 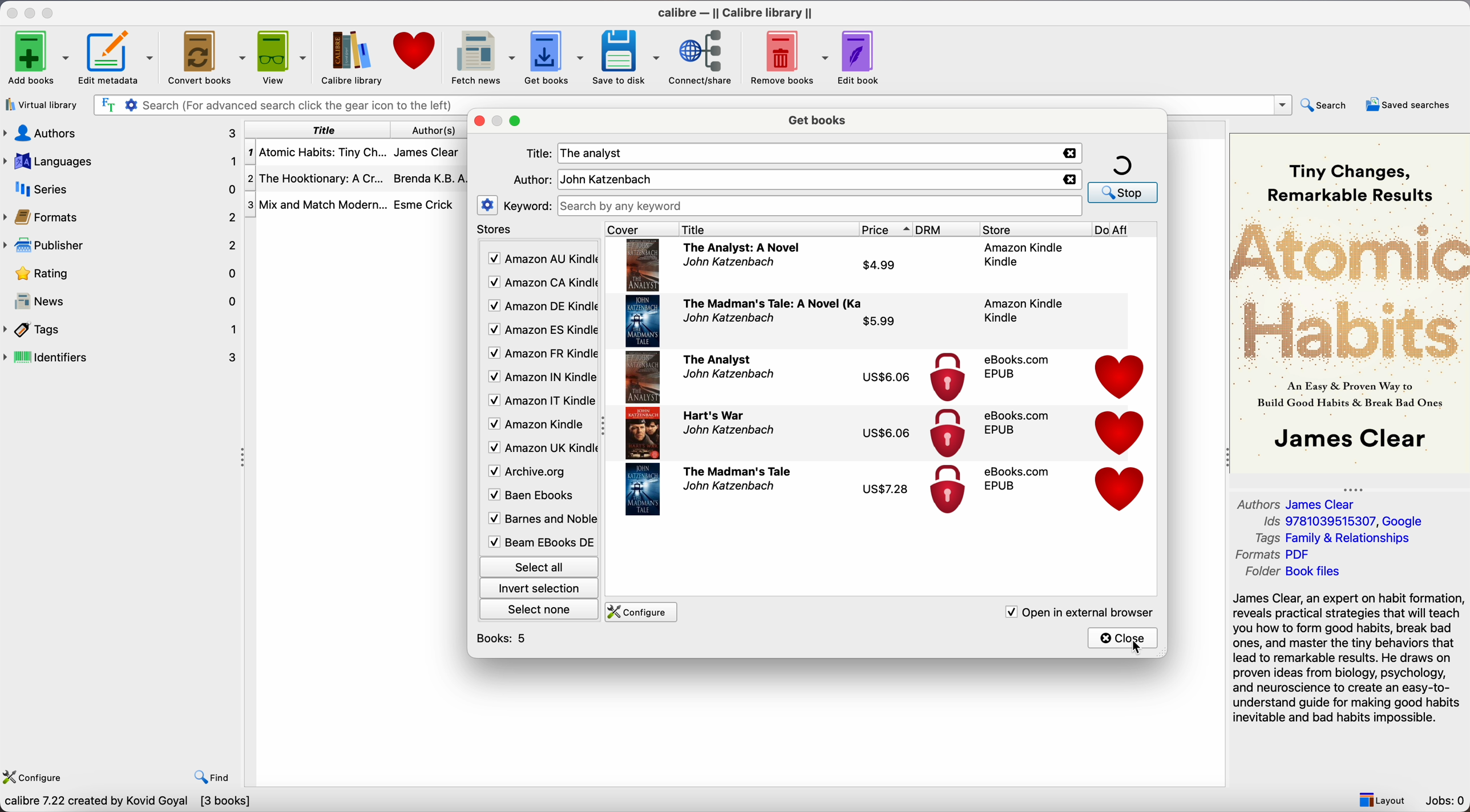 I want to click on stores, so click(x=497, y=231).